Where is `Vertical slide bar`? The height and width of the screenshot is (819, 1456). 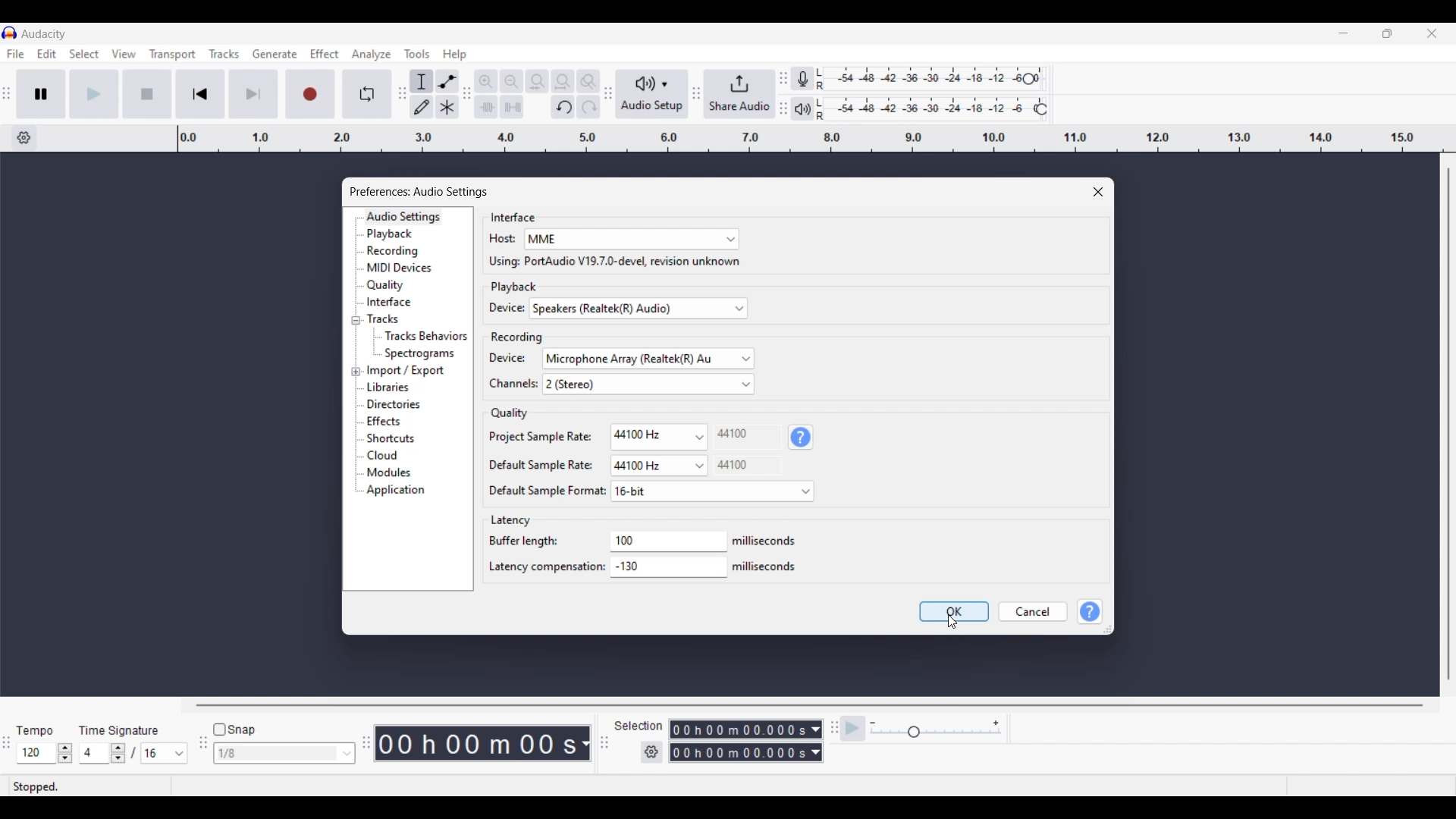
Vertical slide bar is located at coordinates (1448, 424).